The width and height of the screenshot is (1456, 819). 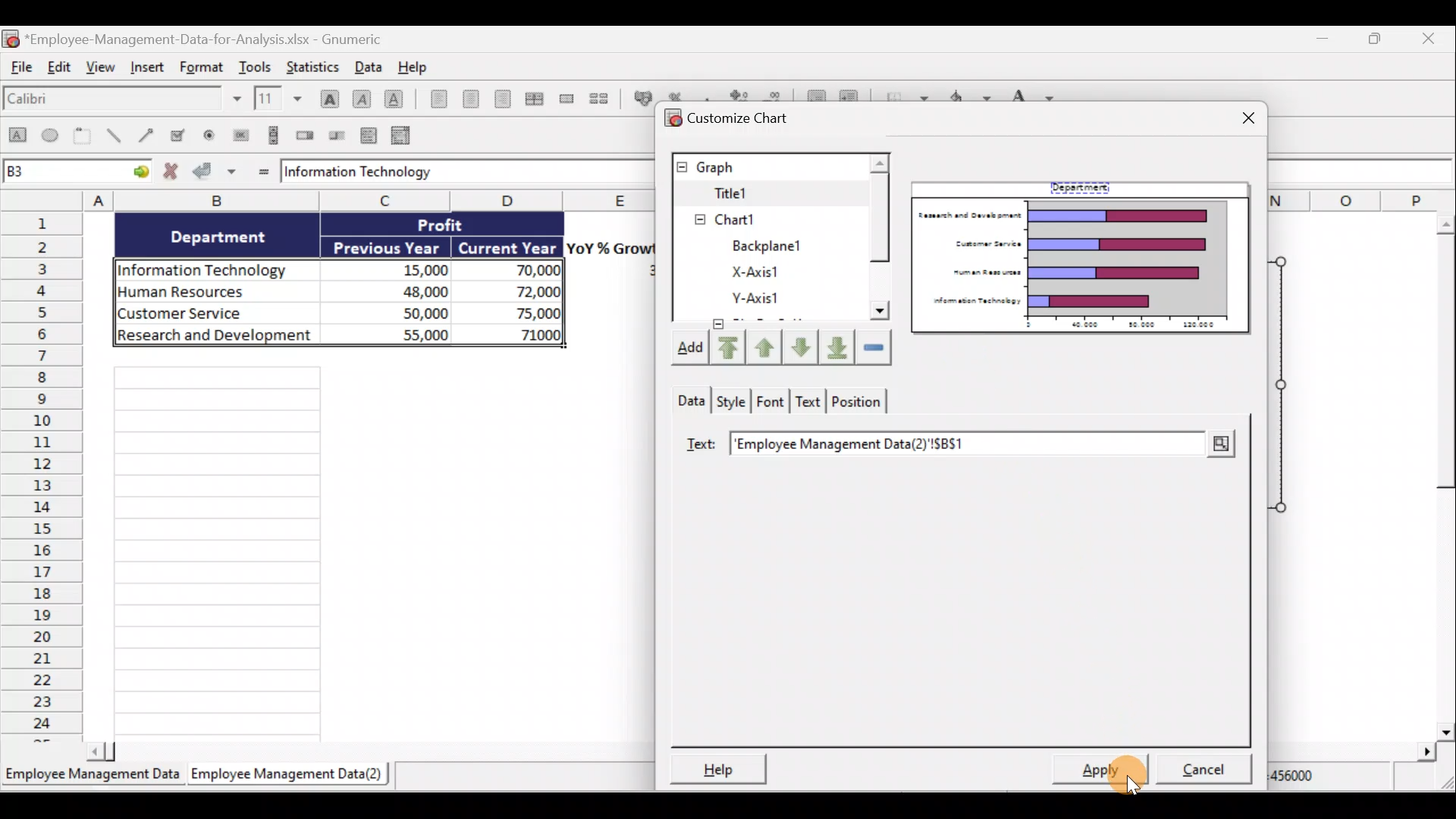 I want to click on 75,000, so click(x=525, y=314).